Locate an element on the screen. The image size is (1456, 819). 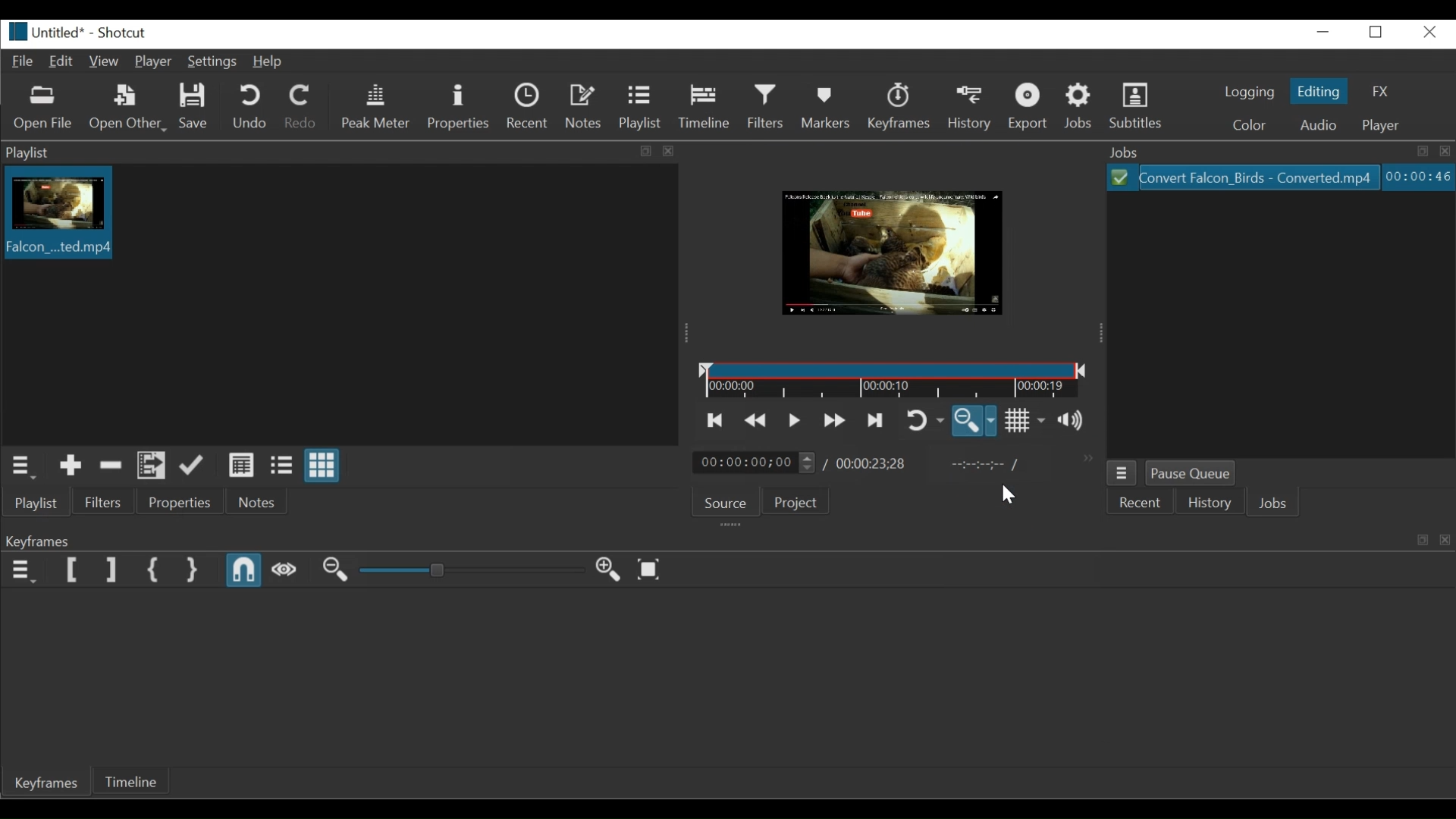
Settings is located at coordinates (213, 62).